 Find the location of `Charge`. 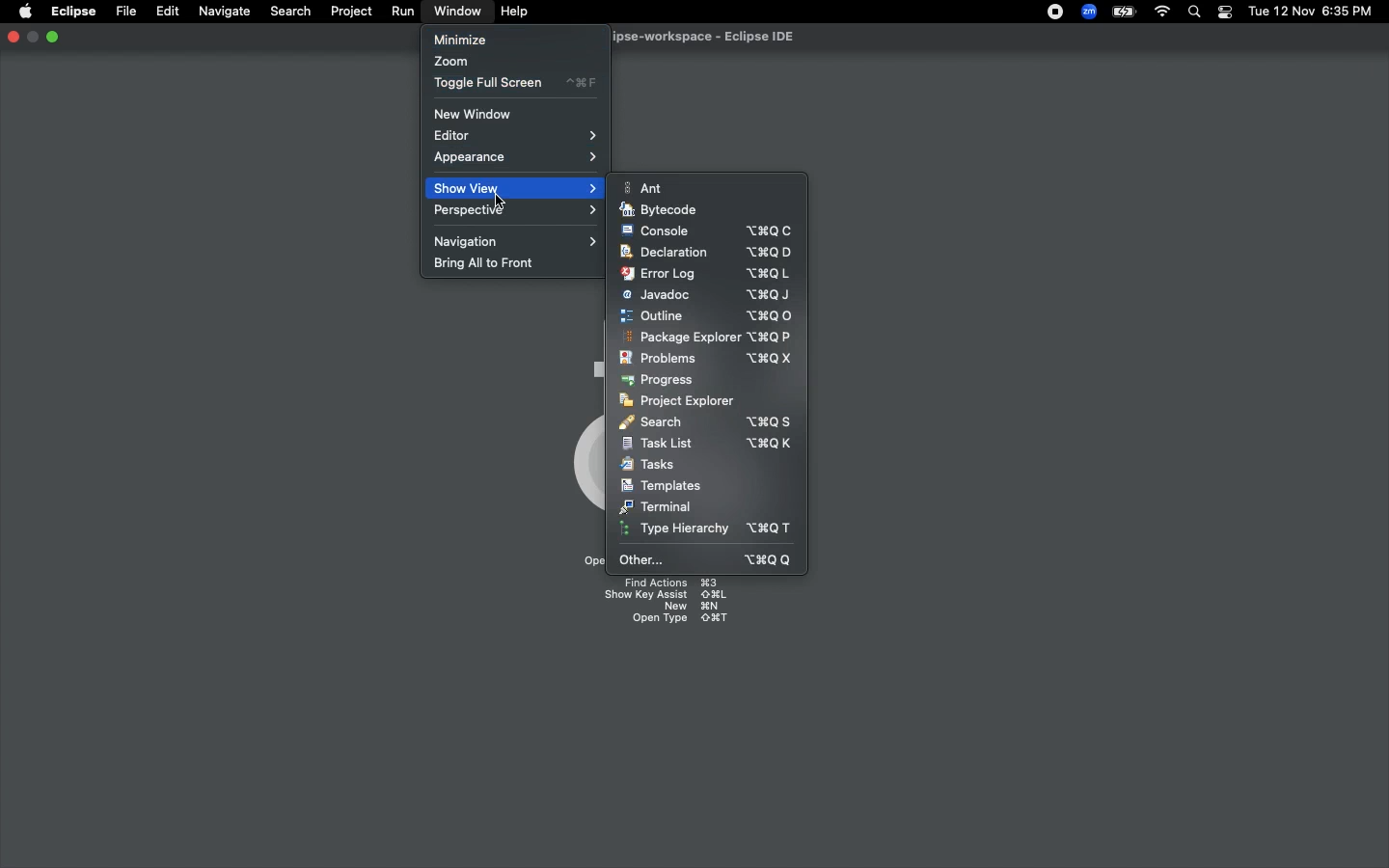

Charge is located at coordinates (1122, 12).